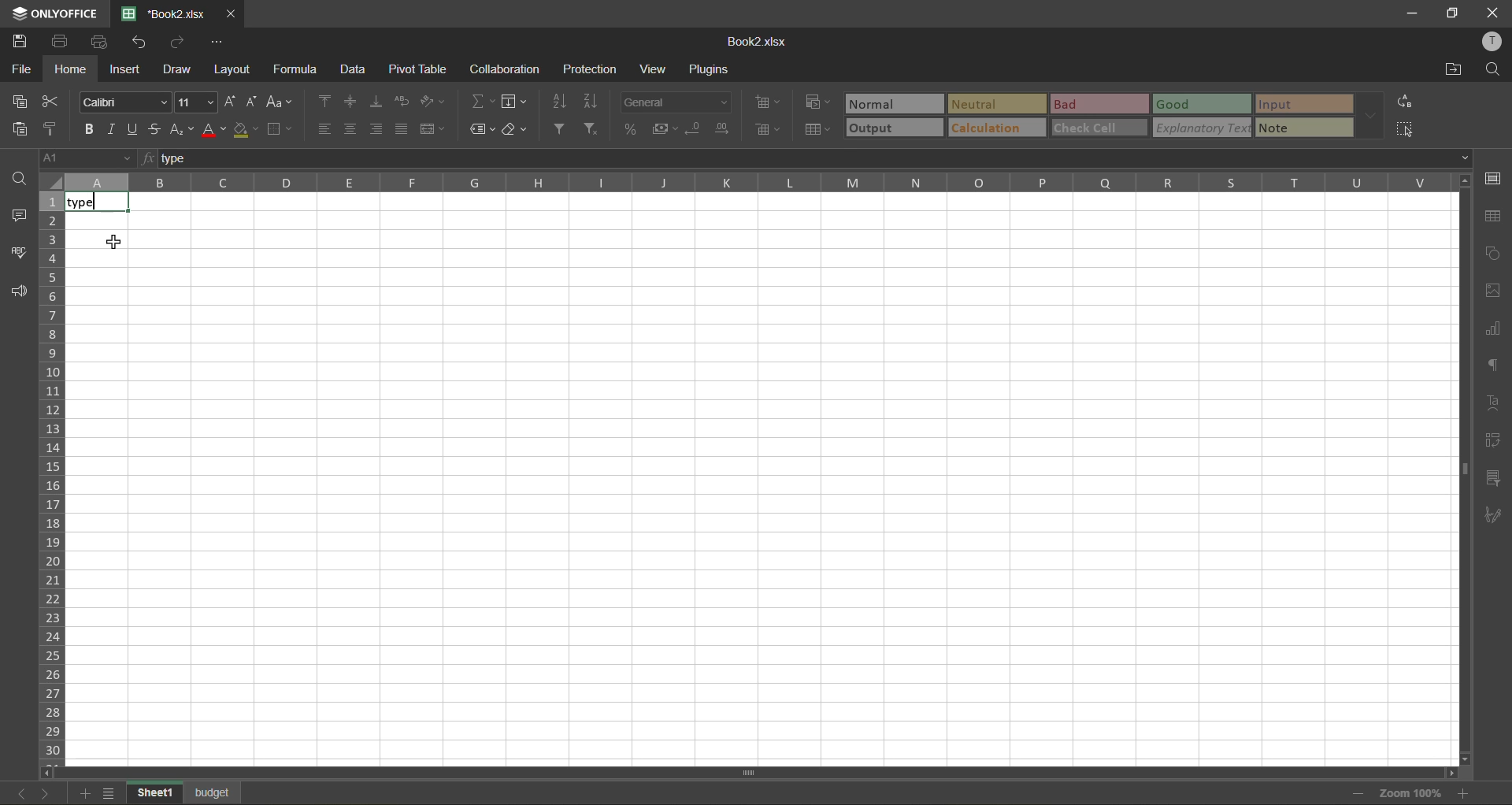 The height and width of the screenshot is (805, 1512). I want to click on zoom factor, so click(1411, 793).